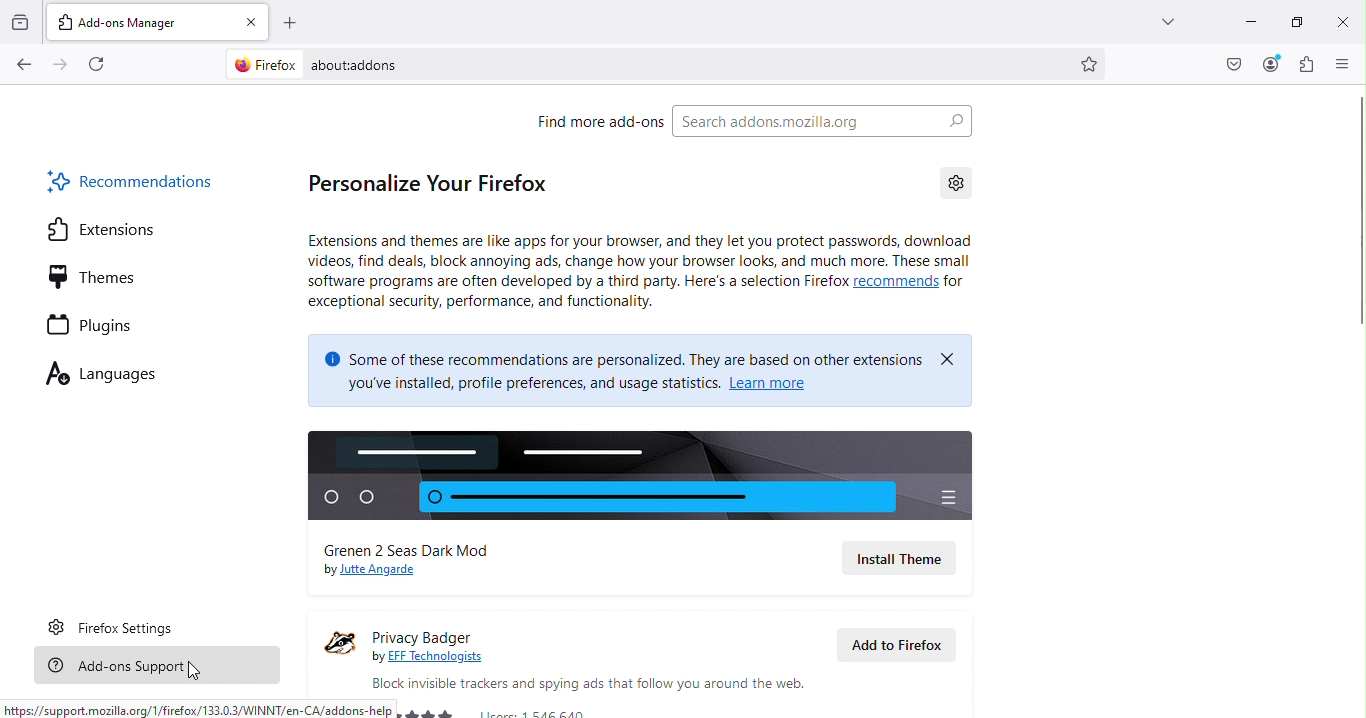  What do you see at coordinates (1240, 25) in the screenshot?
I see `Minimize` at bounding box center [1240, 25].